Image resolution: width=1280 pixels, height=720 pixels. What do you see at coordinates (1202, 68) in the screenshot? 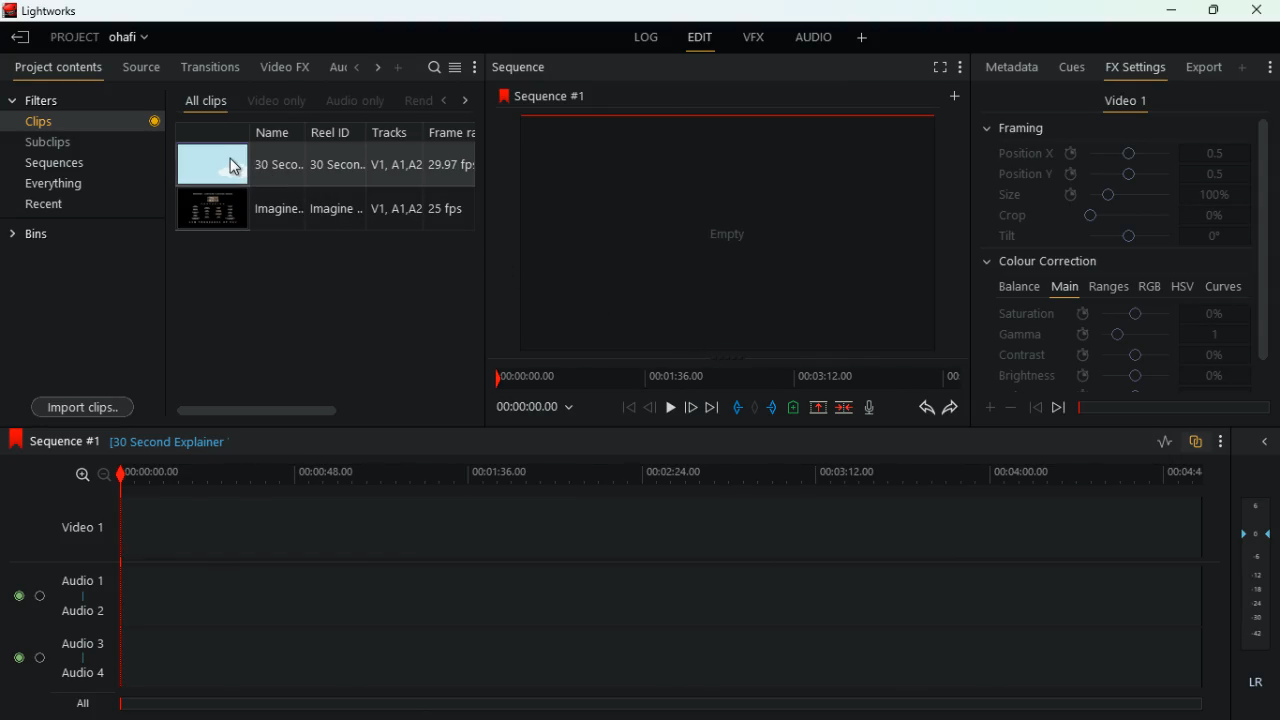
I see `export` at bounding box center [1202, 68].